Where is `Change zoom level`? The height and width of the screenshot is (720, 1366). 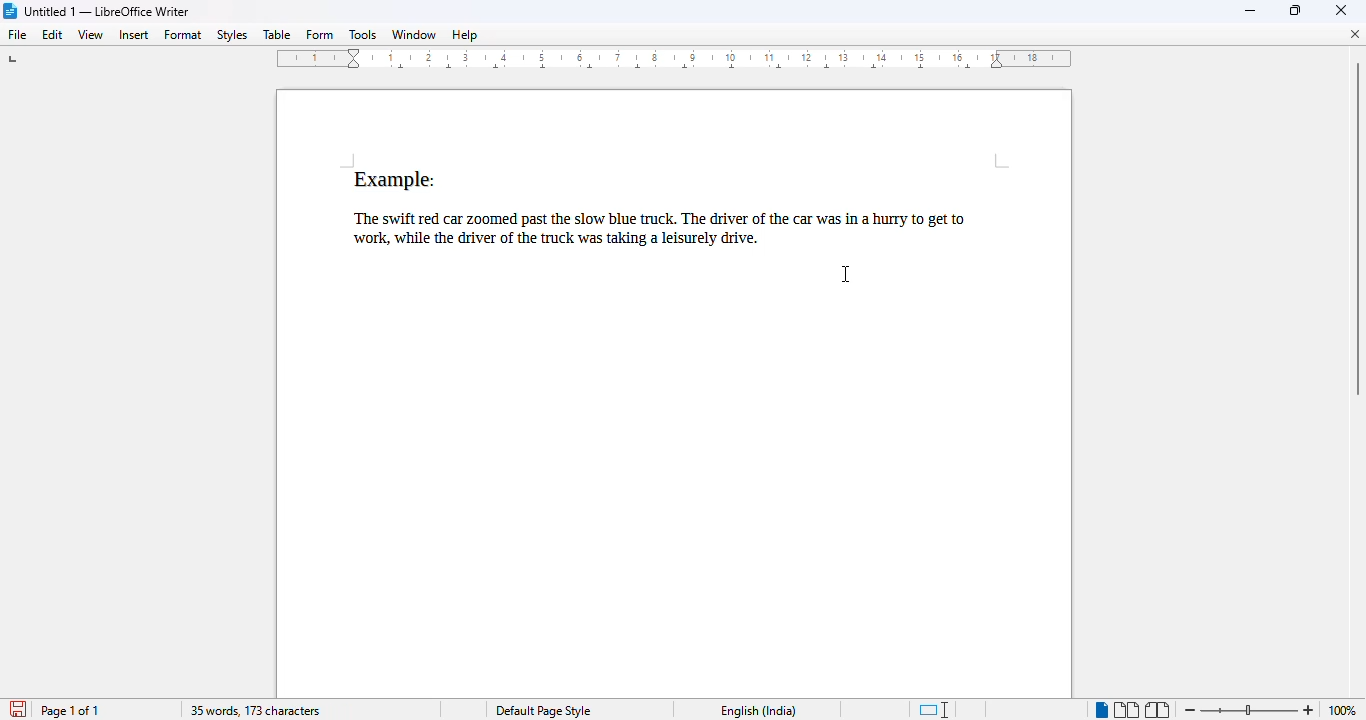 Change zoom level is located at coordinates (1249, 709).